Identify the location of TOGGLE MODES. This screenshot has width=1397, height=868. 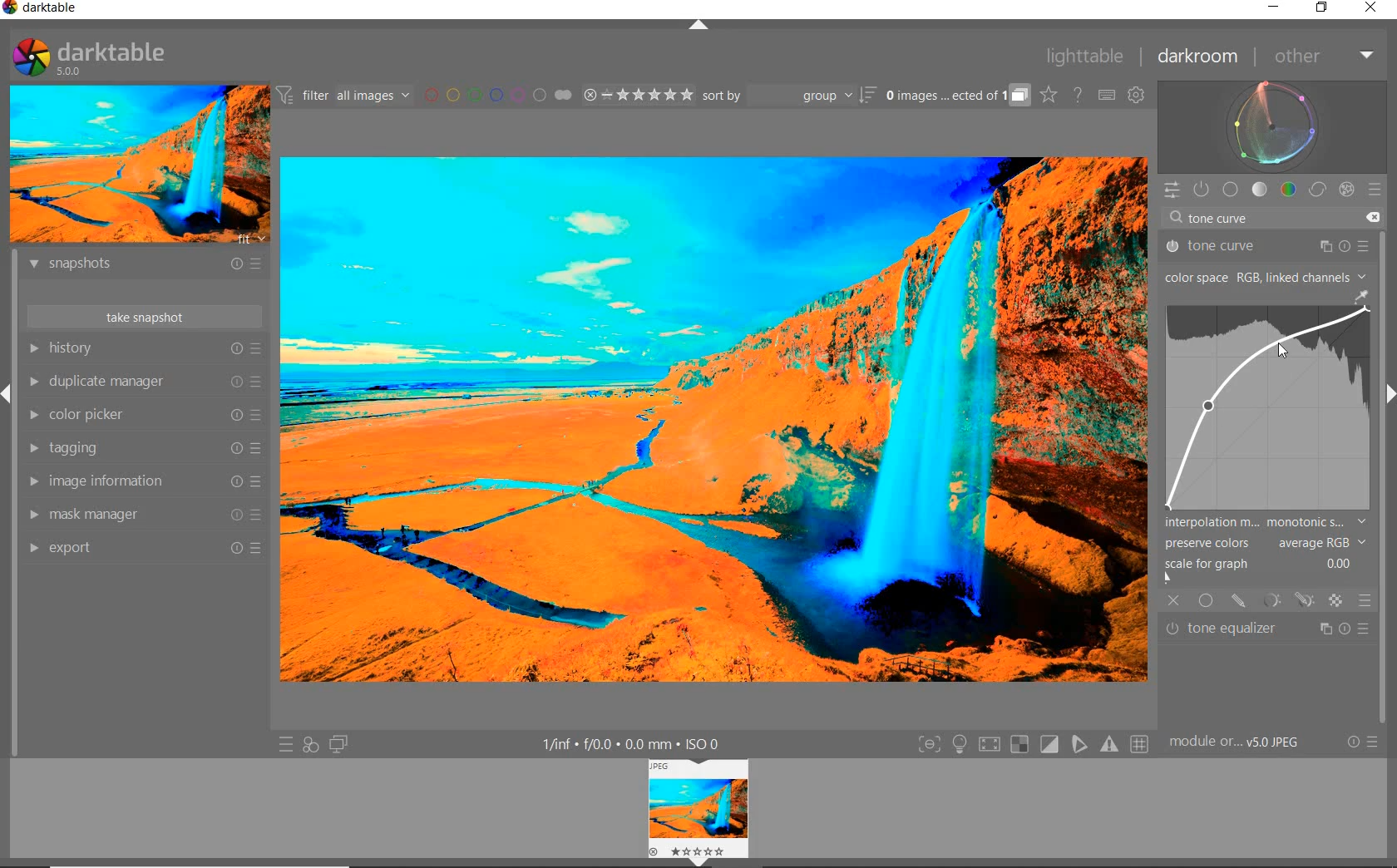
(1032, 745).